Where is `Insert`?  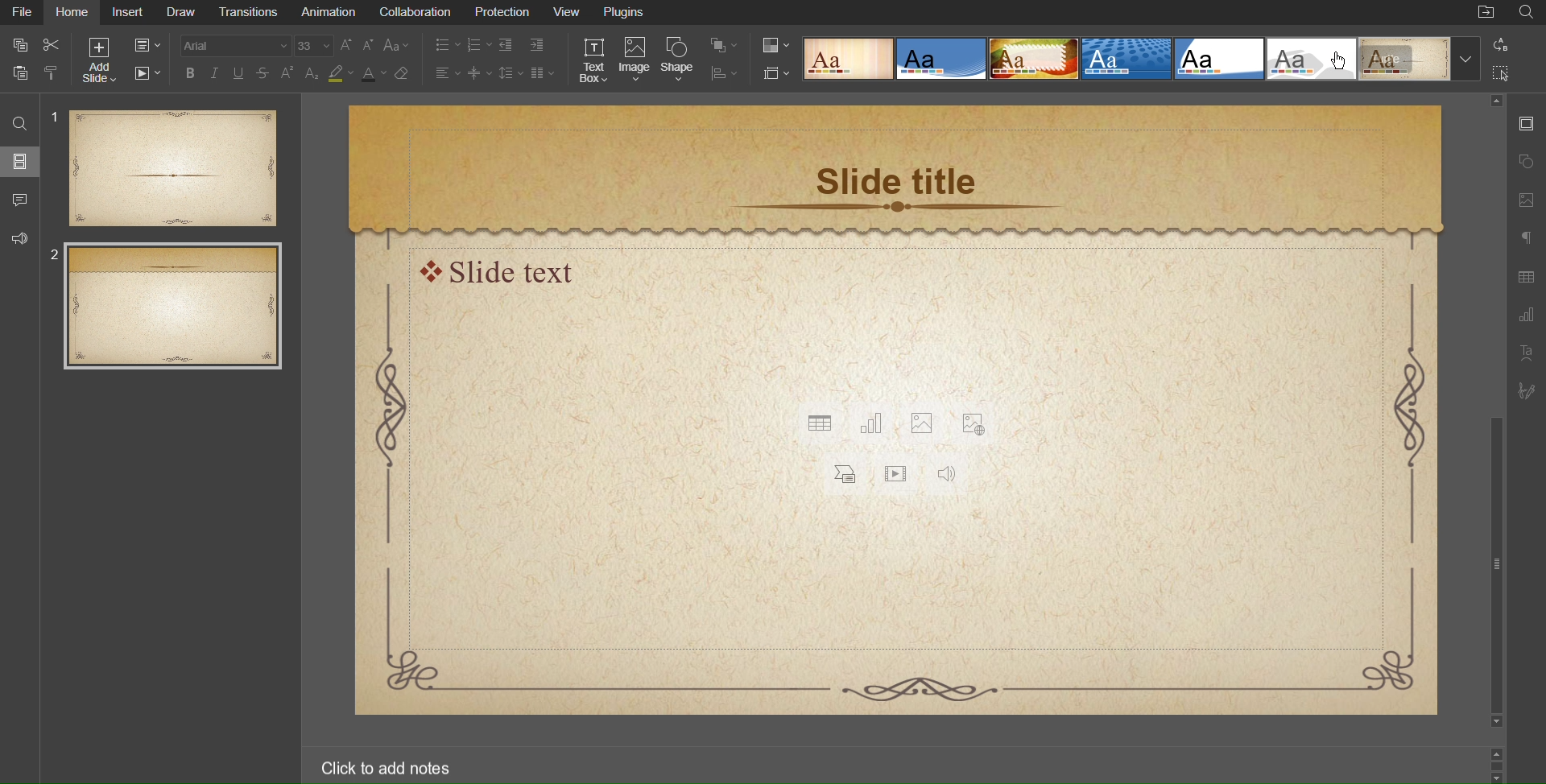
Insert is located at coordinates (128, 14).